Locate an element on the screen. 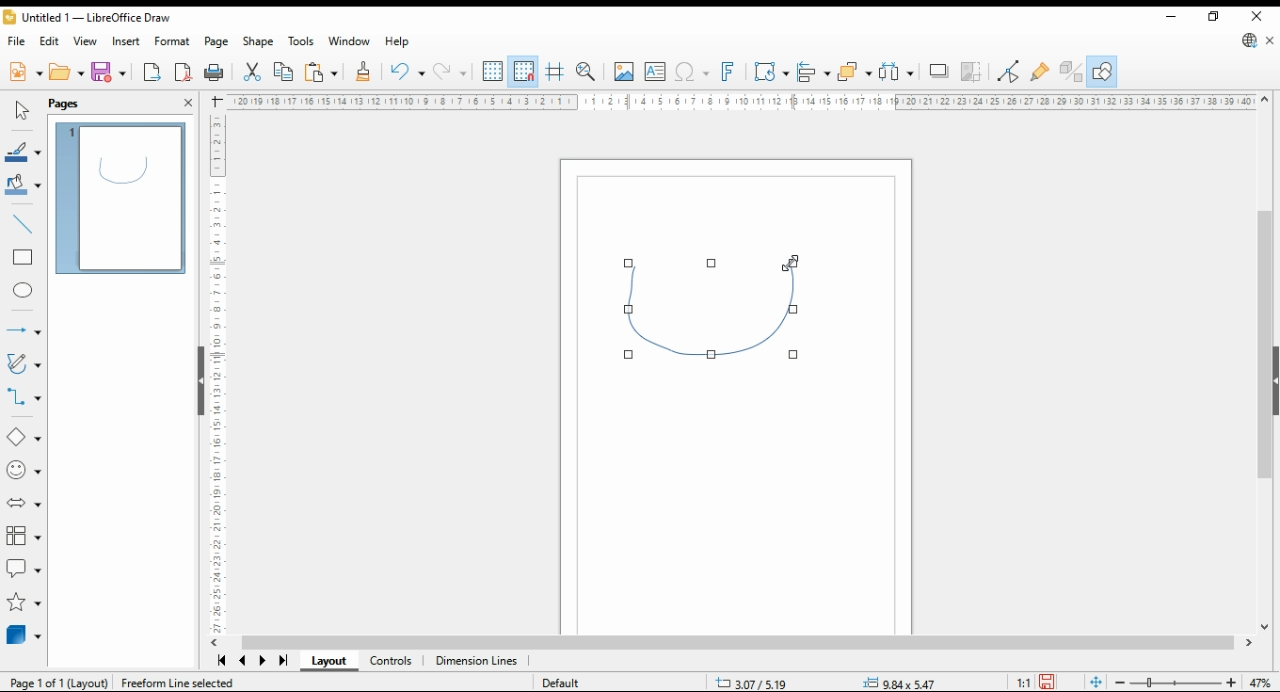 The width and height of the screenshot is (1280, 692). page 1 is located at coordinates (119, 199).